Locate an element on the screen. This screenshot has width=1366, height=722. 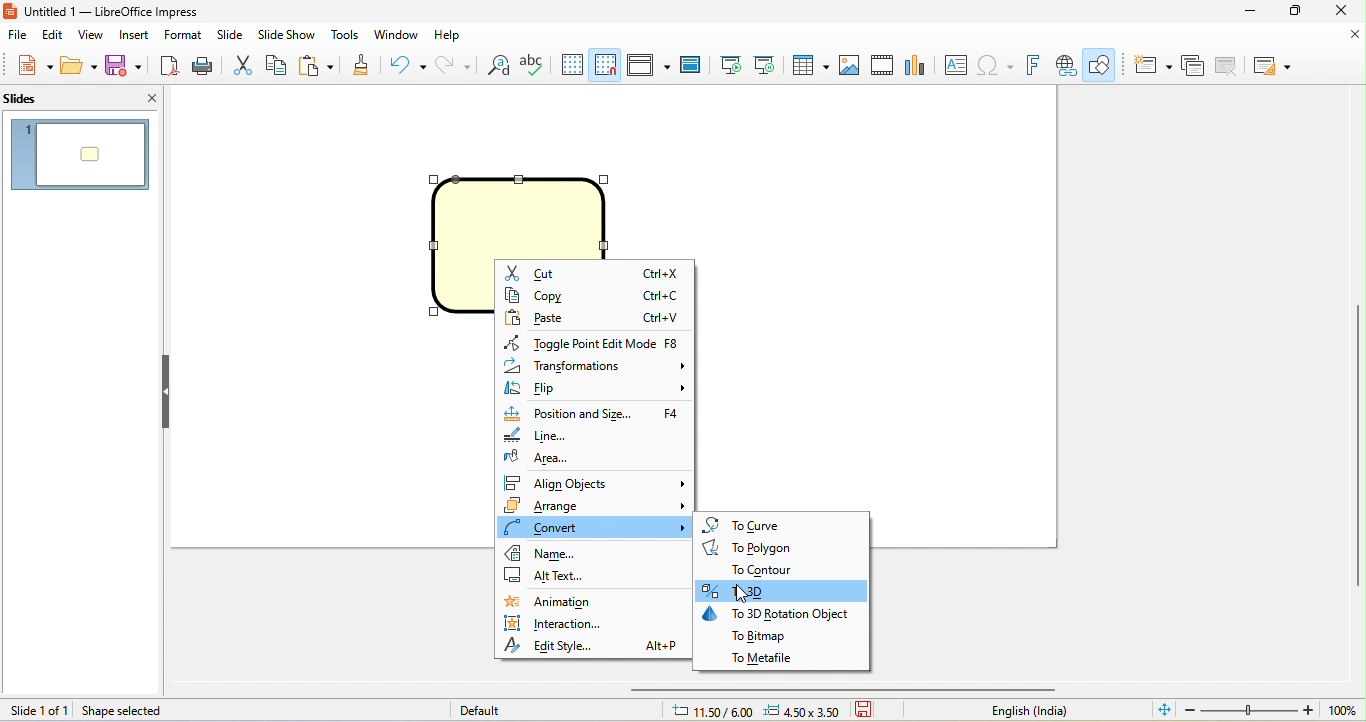
start from first slide is located at coordinates (729, 64).